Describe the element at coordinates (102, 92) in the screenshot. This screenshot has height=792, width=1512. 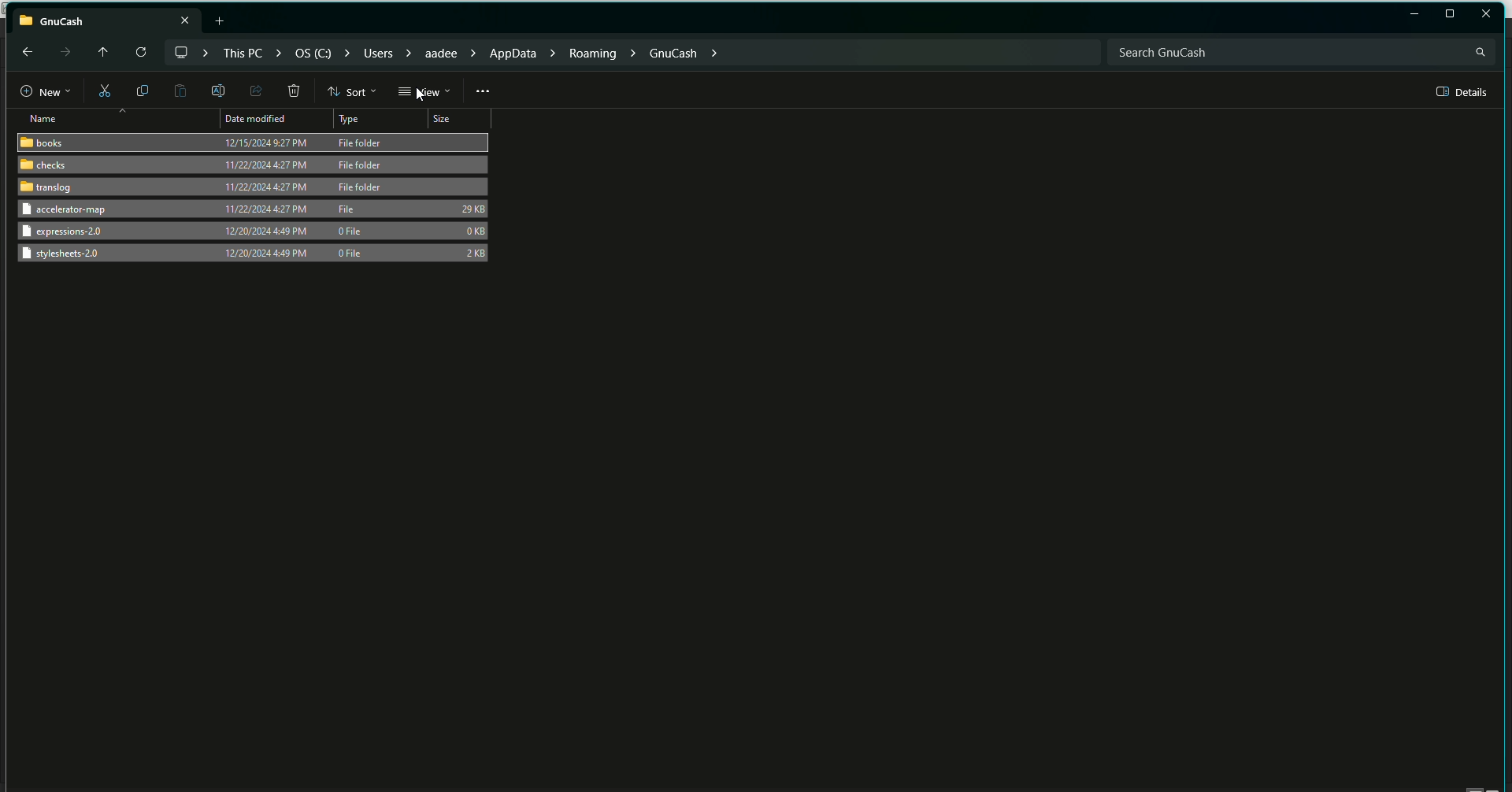
I see `Cut` at that location.